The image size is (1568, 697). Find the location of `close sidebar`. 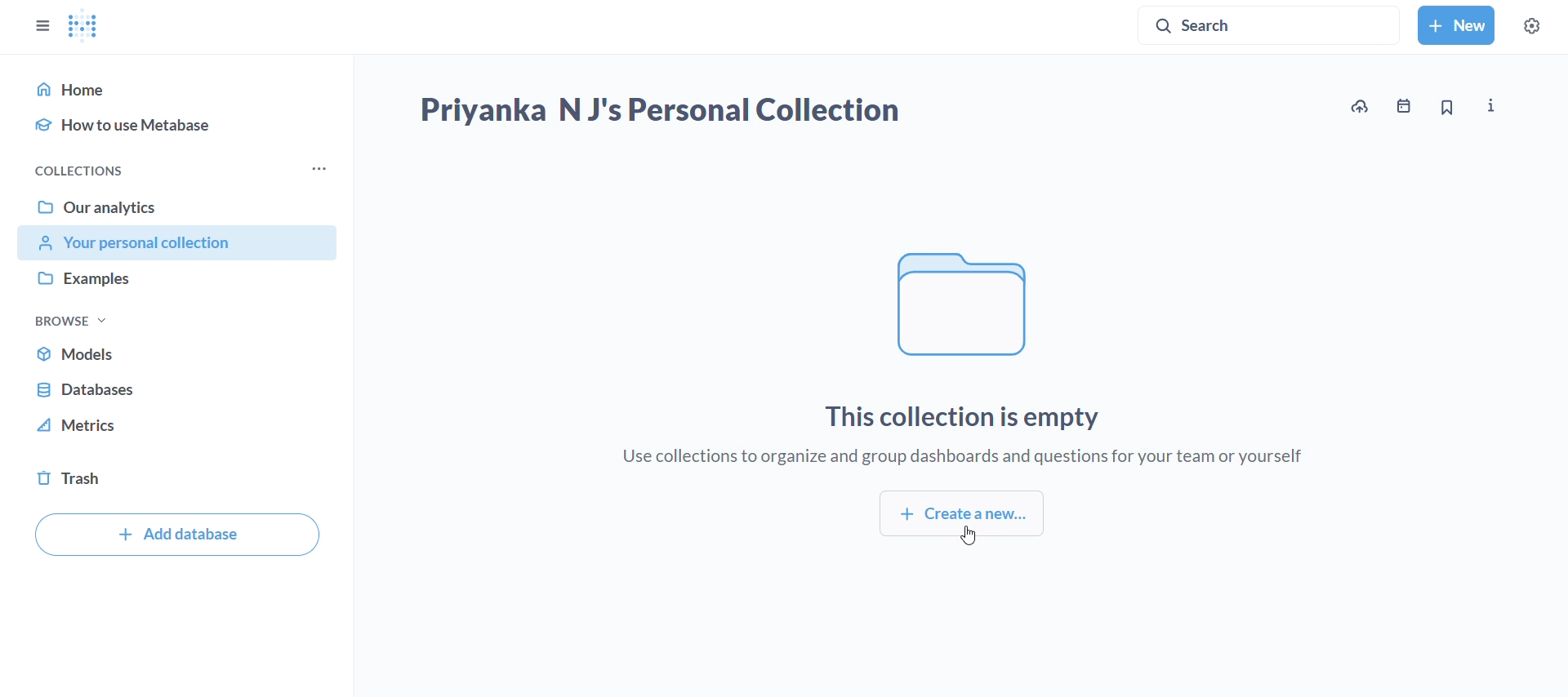

close sidebar is located at coordinates (32, 20).